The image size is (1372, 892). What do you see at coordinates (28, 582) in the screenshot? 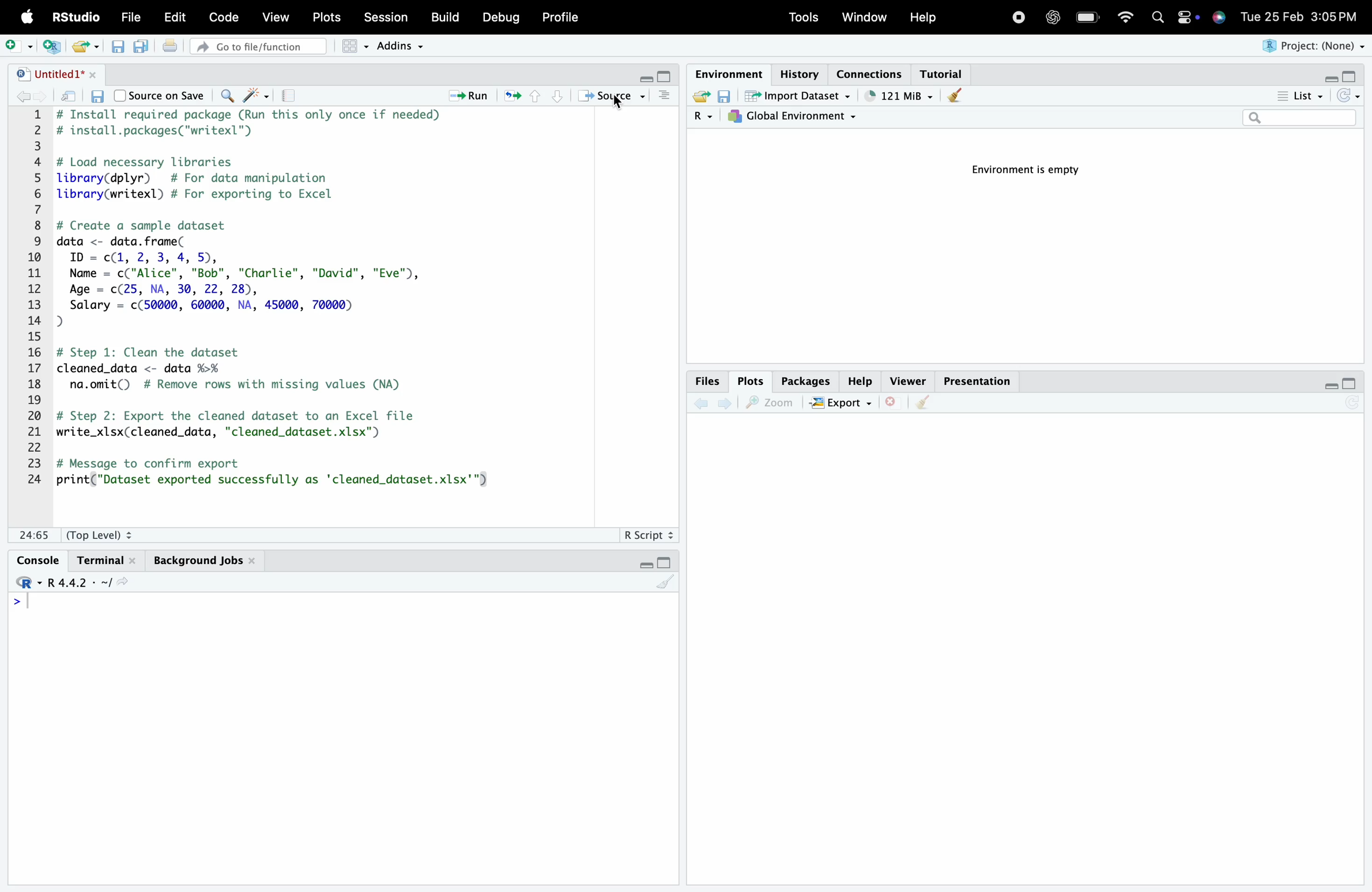
I see `Rstudio ` at bounding box center [28, 582].